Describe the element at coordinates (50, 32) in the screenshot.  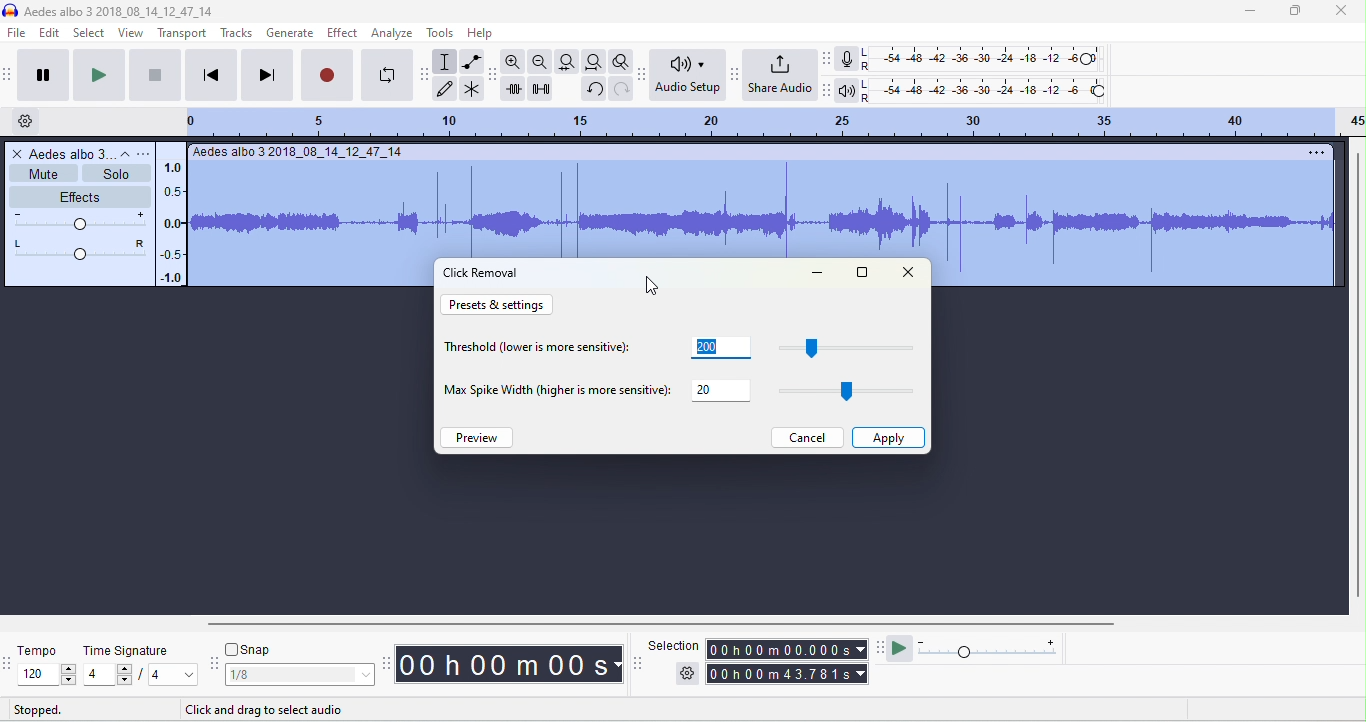
I see `edit` at that location.